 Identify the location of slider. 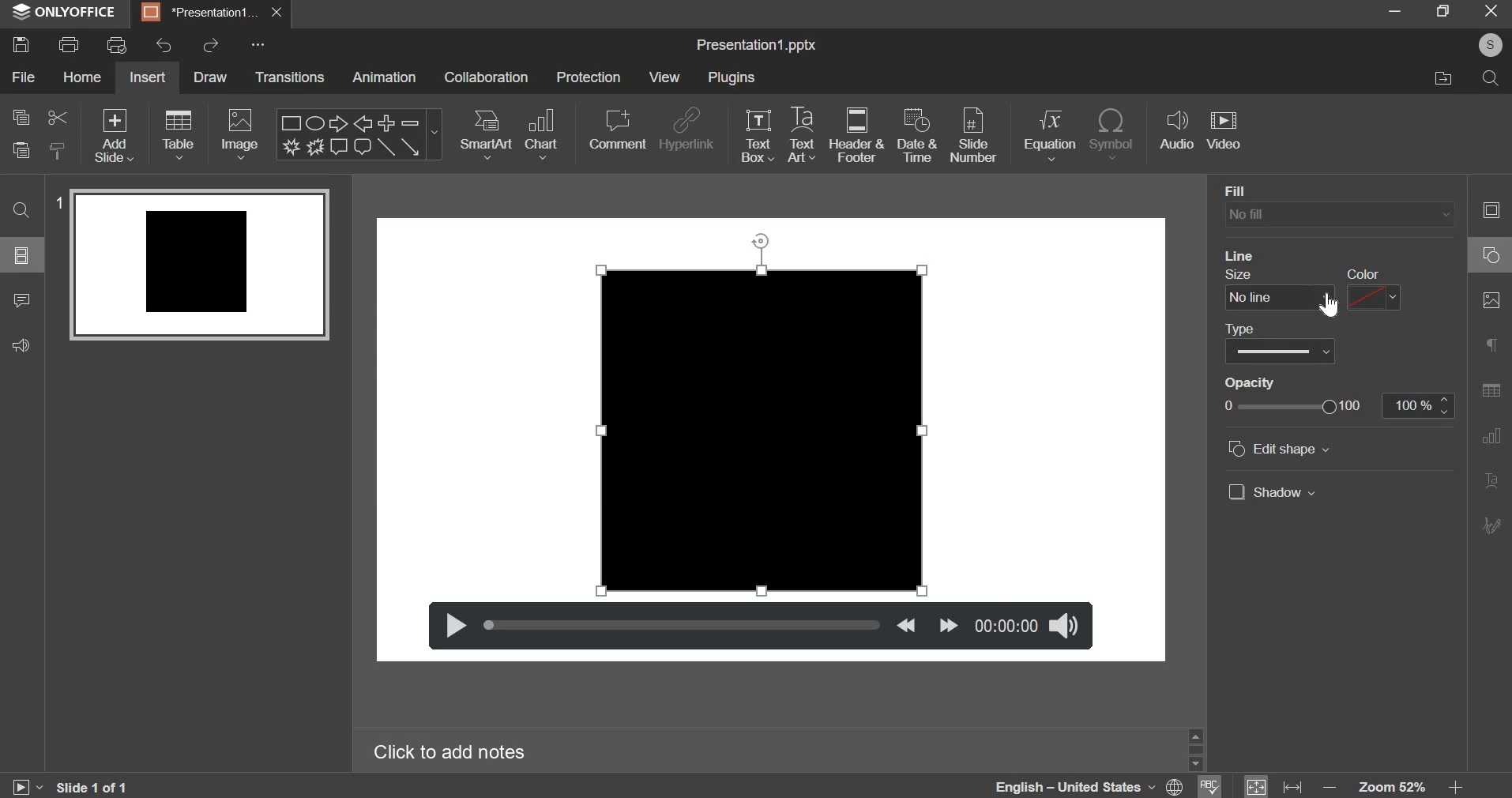
(683, 625).